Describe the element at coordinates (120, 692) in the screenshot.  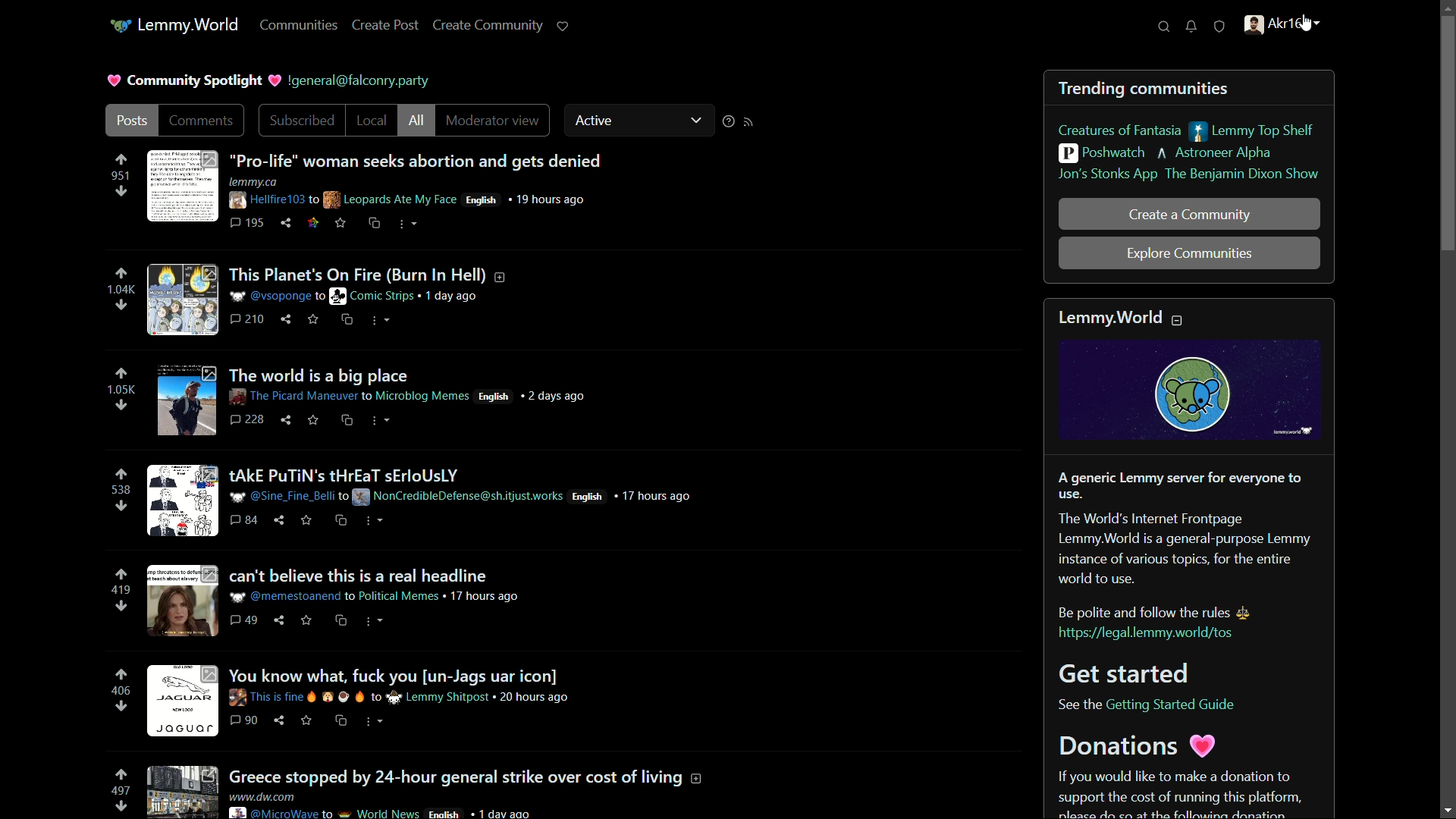
I see `number of votes` at that location.